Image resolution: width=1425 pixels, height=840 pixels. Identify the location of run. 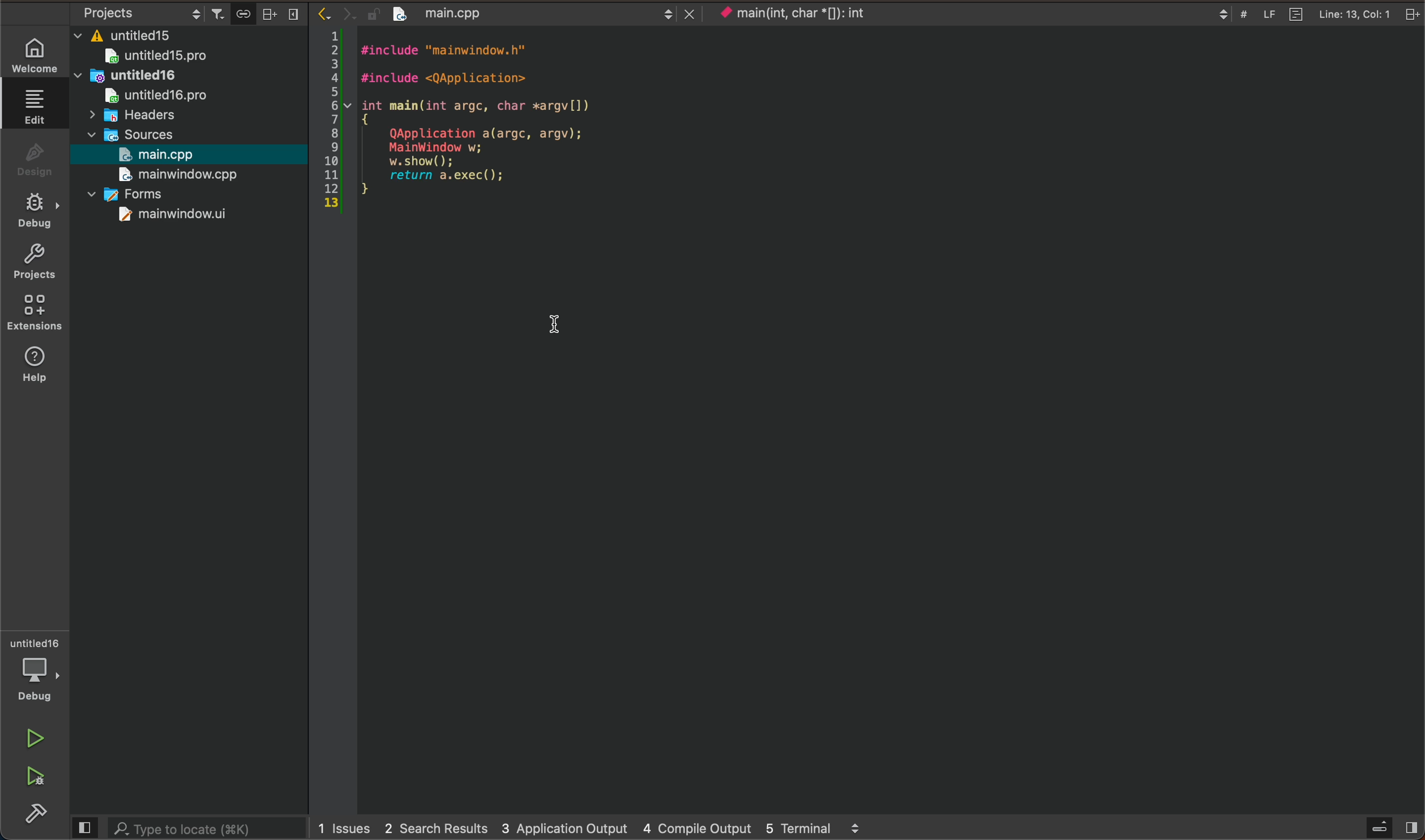
(33, 738).